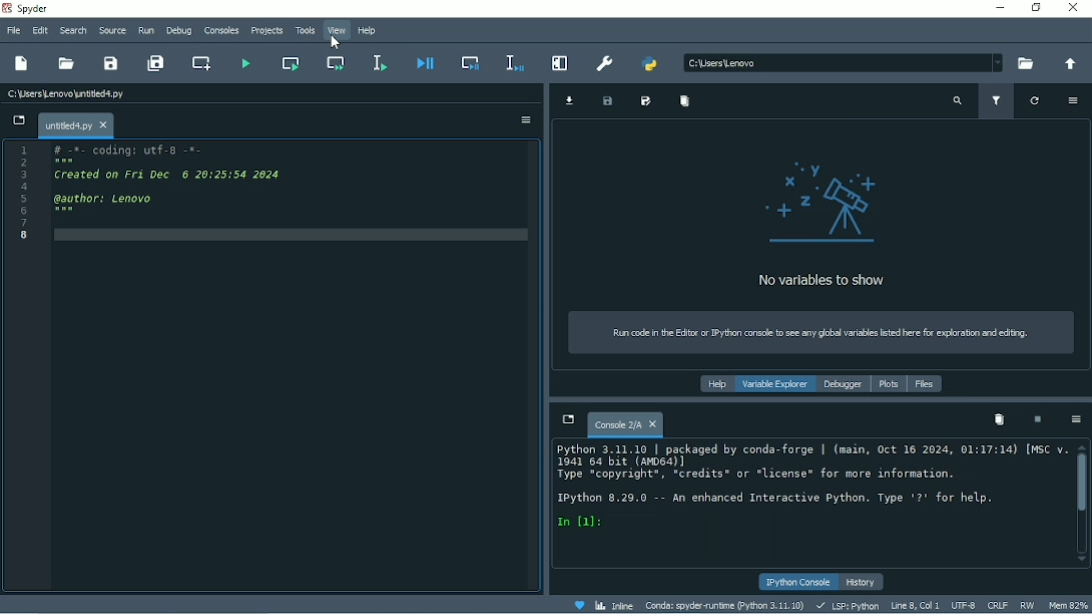 This screenshot has width=1092, height=614. I want to click on RW, so click(1028, 605).